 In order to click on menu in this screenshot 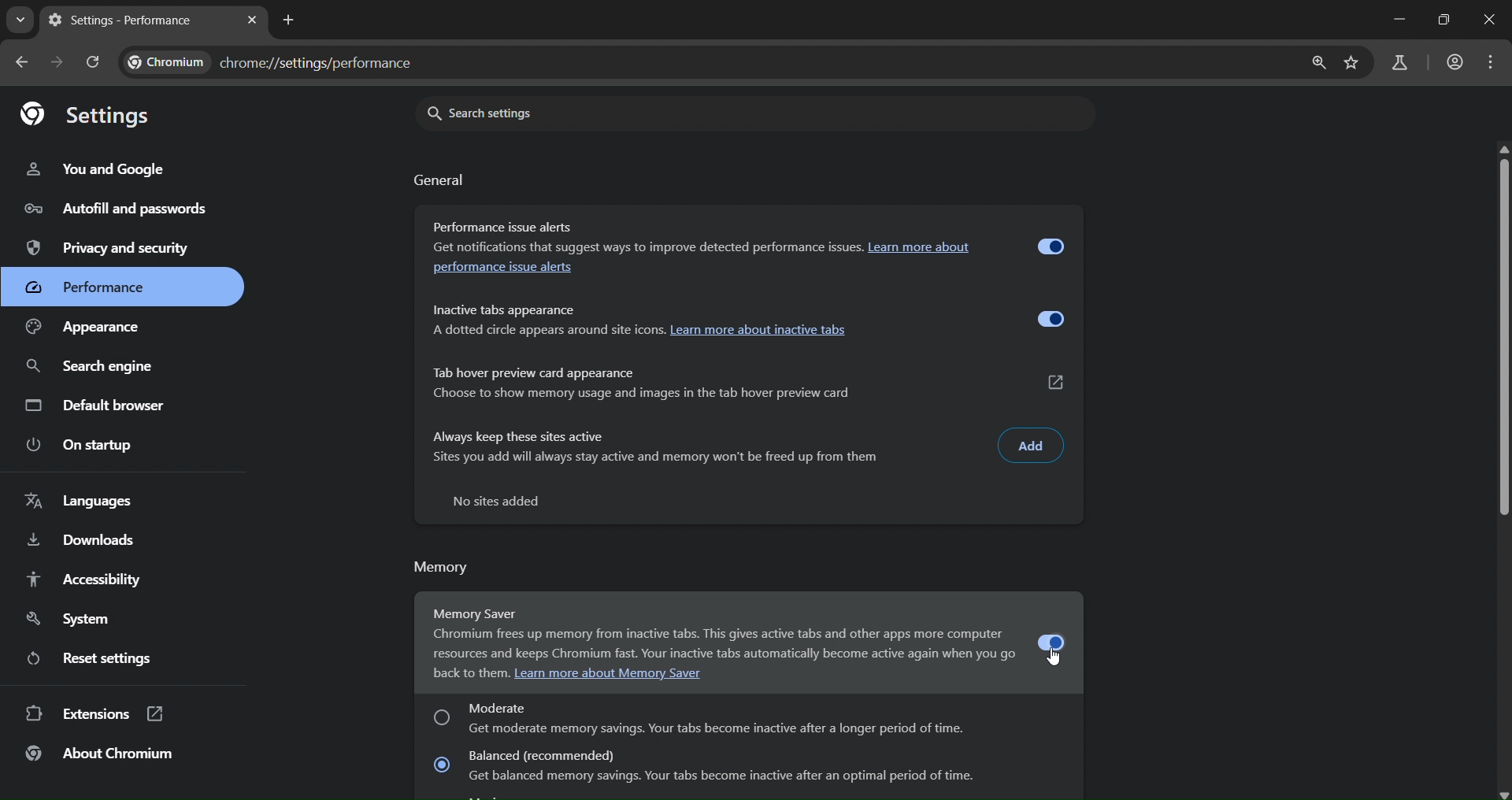, I will do `click(1492, 59)`.